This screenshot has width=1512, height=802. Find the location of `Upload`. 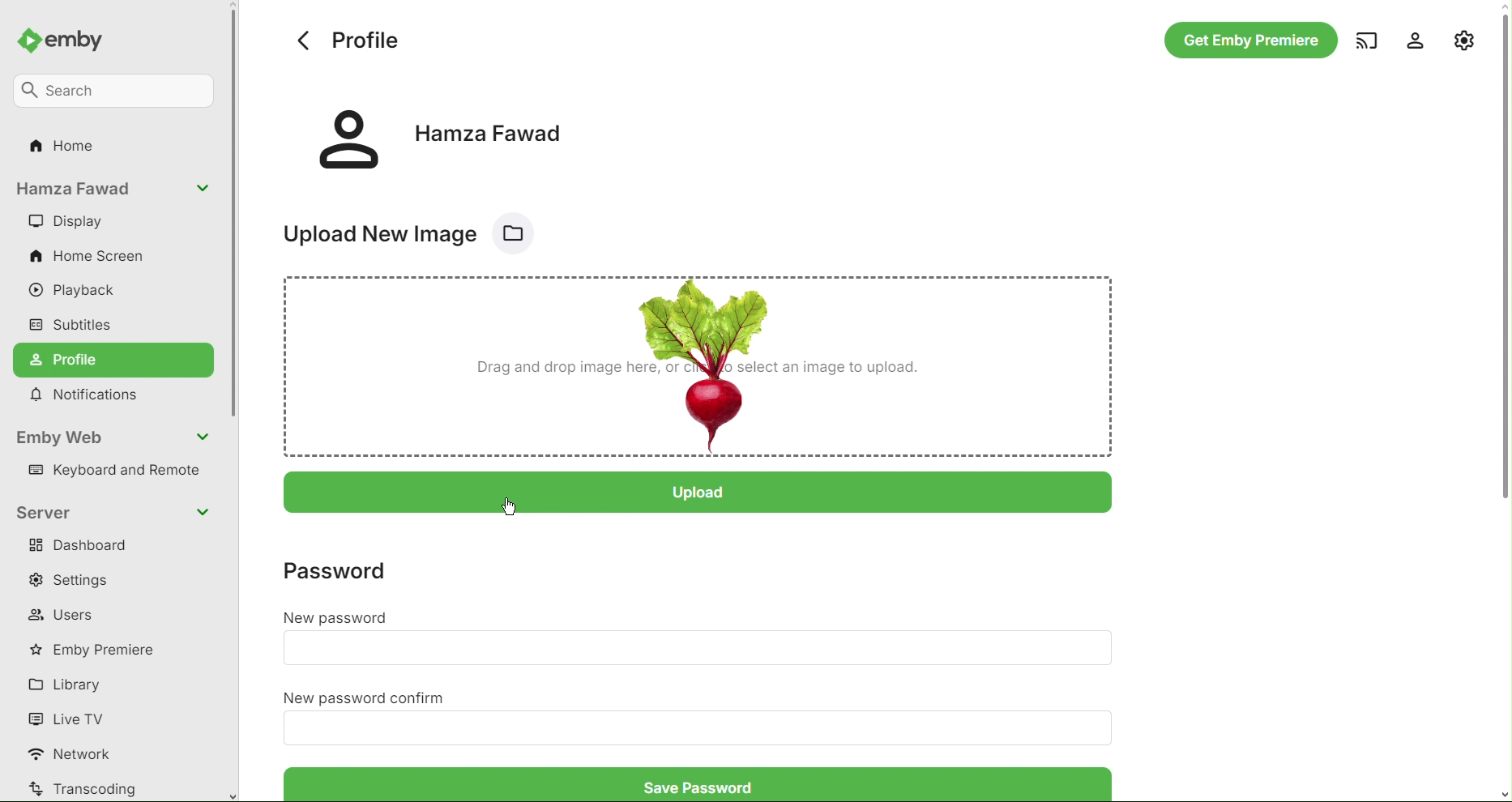

Upload is located at coordinates (705, 490).